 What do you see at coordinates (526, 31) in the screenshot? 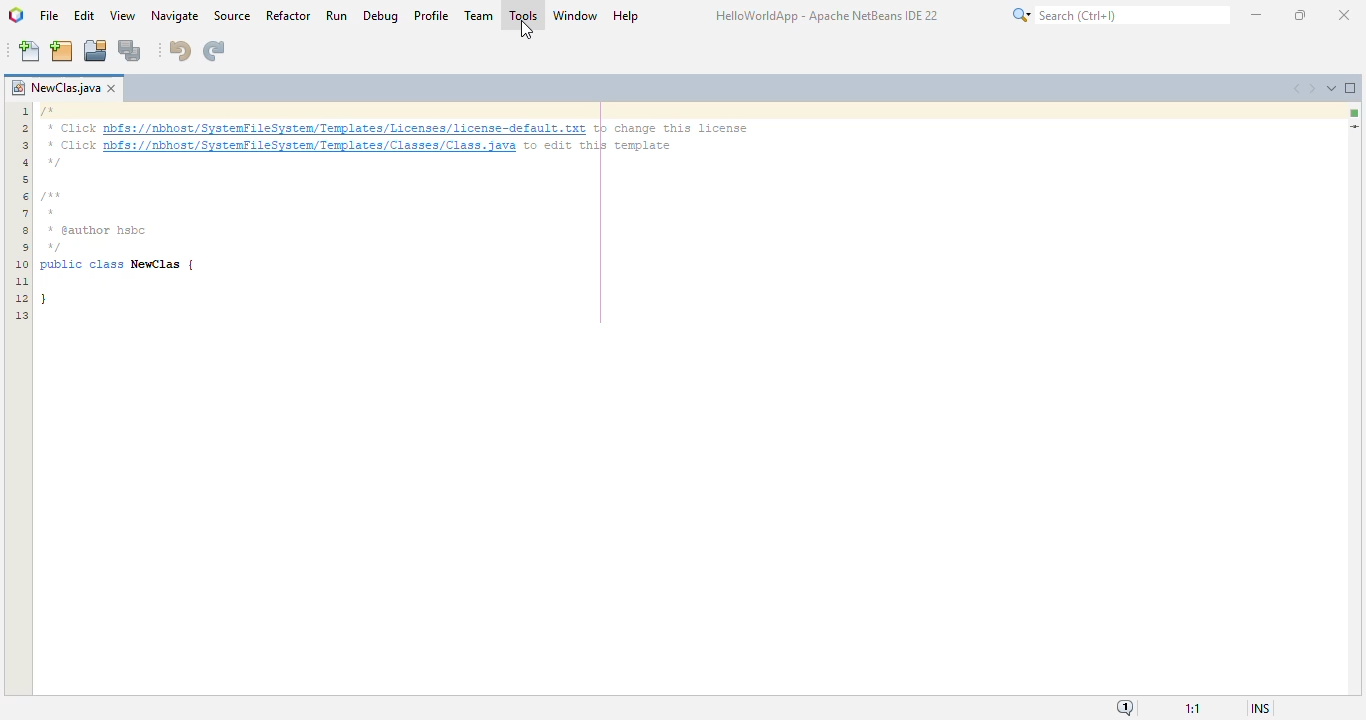
I see `cursor` at bounding box center [526, 31].